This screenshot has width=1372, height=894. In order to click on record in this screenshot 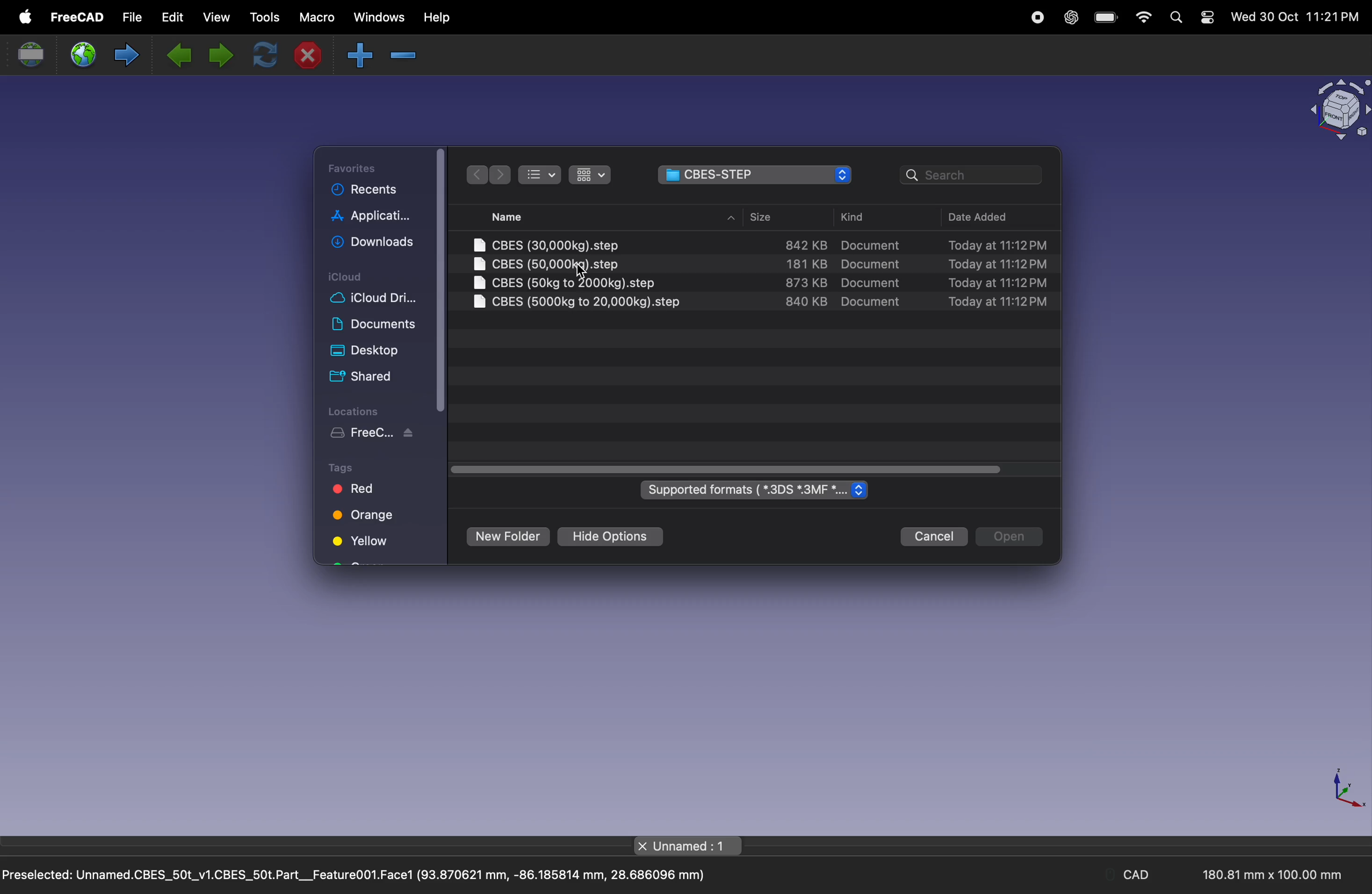, I will do `click(1037, 18)`.